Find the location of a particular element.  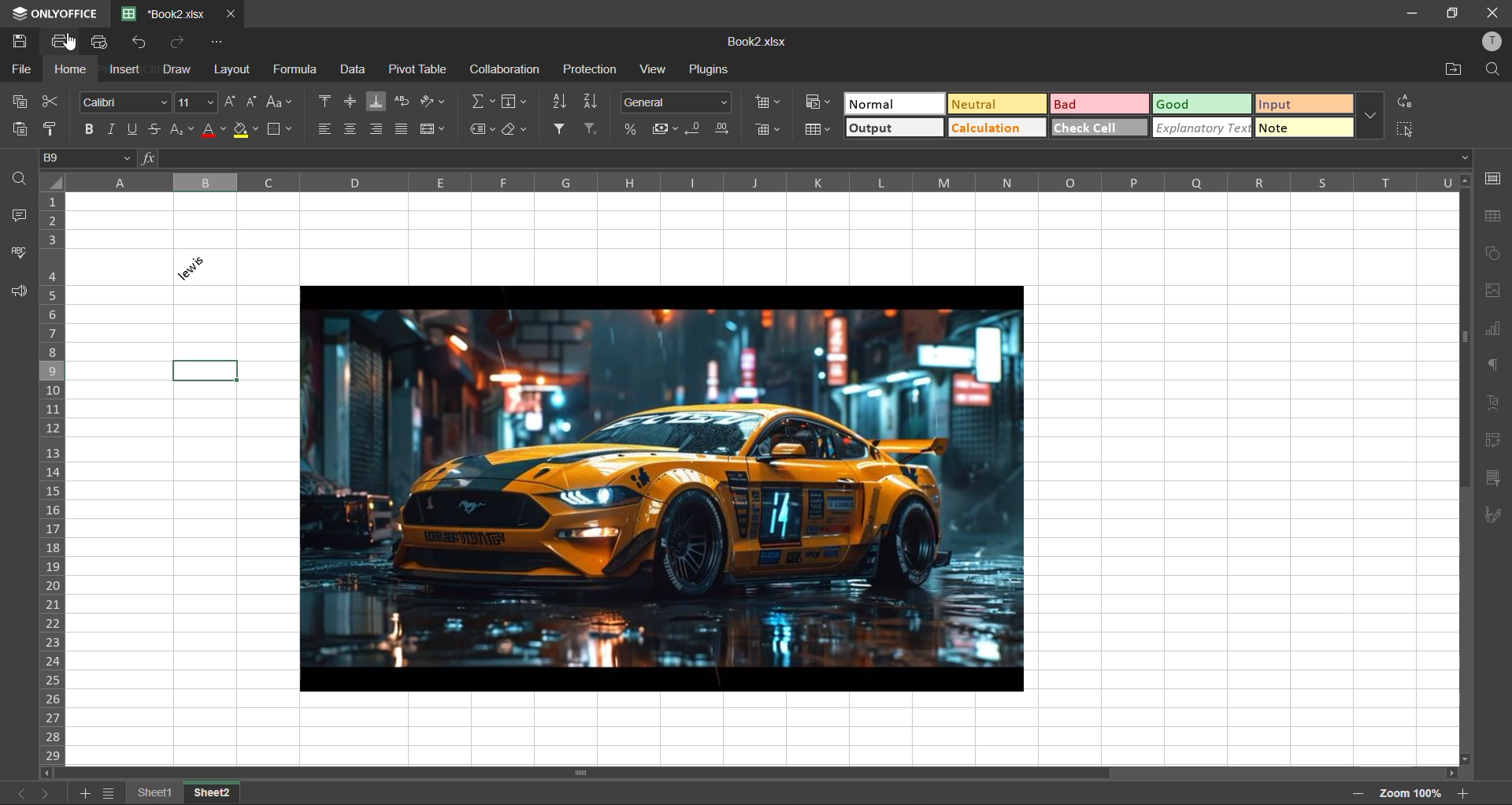

scroll up is located at coordinates (1464, 182).